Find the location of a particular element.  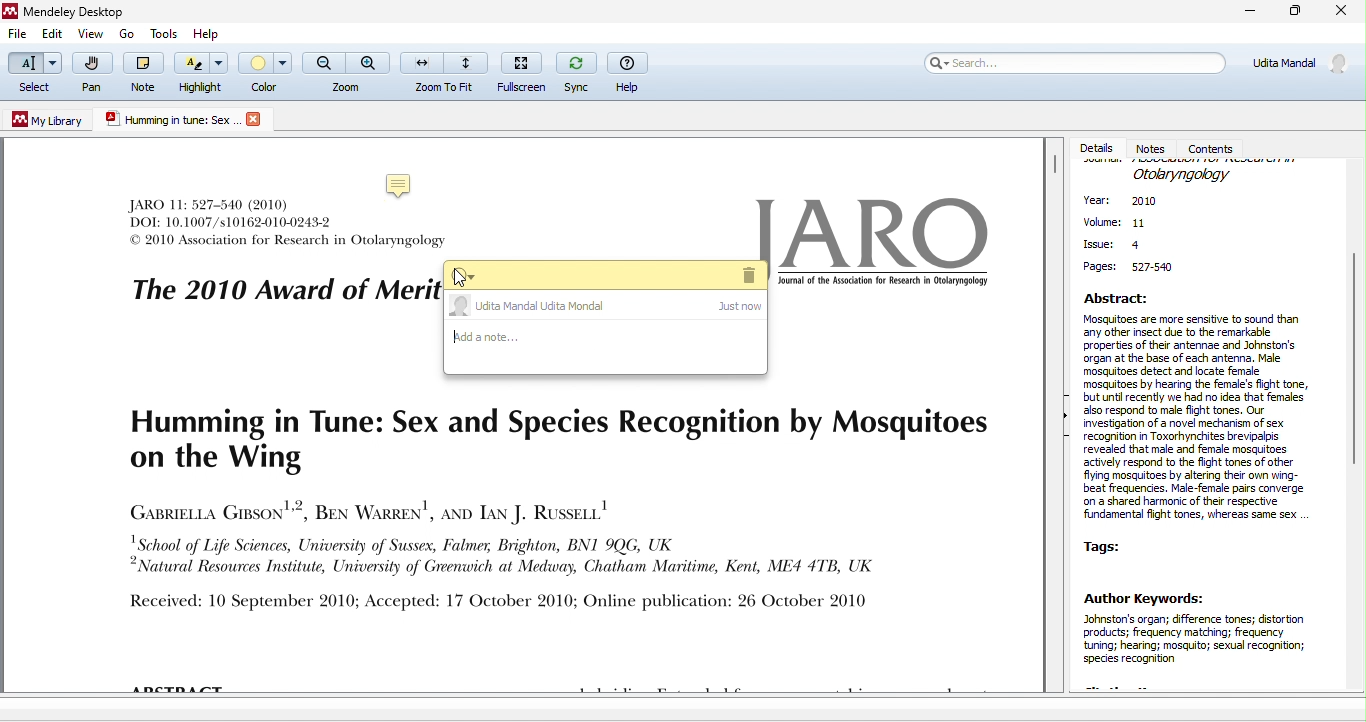

delete is located at coordinates (747, 275).